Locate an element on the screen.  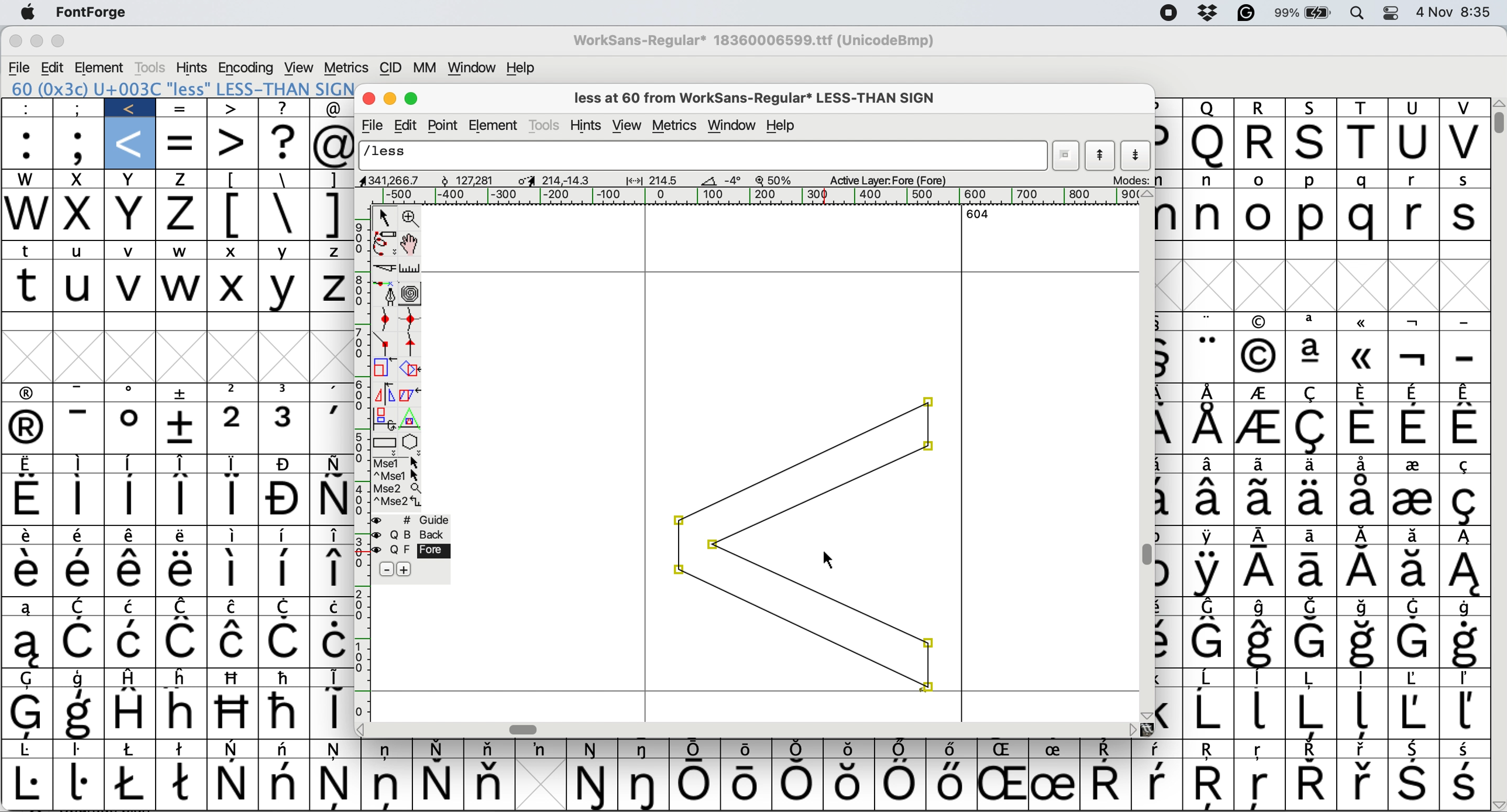
Symbol is located at coordinates (1158, 748).